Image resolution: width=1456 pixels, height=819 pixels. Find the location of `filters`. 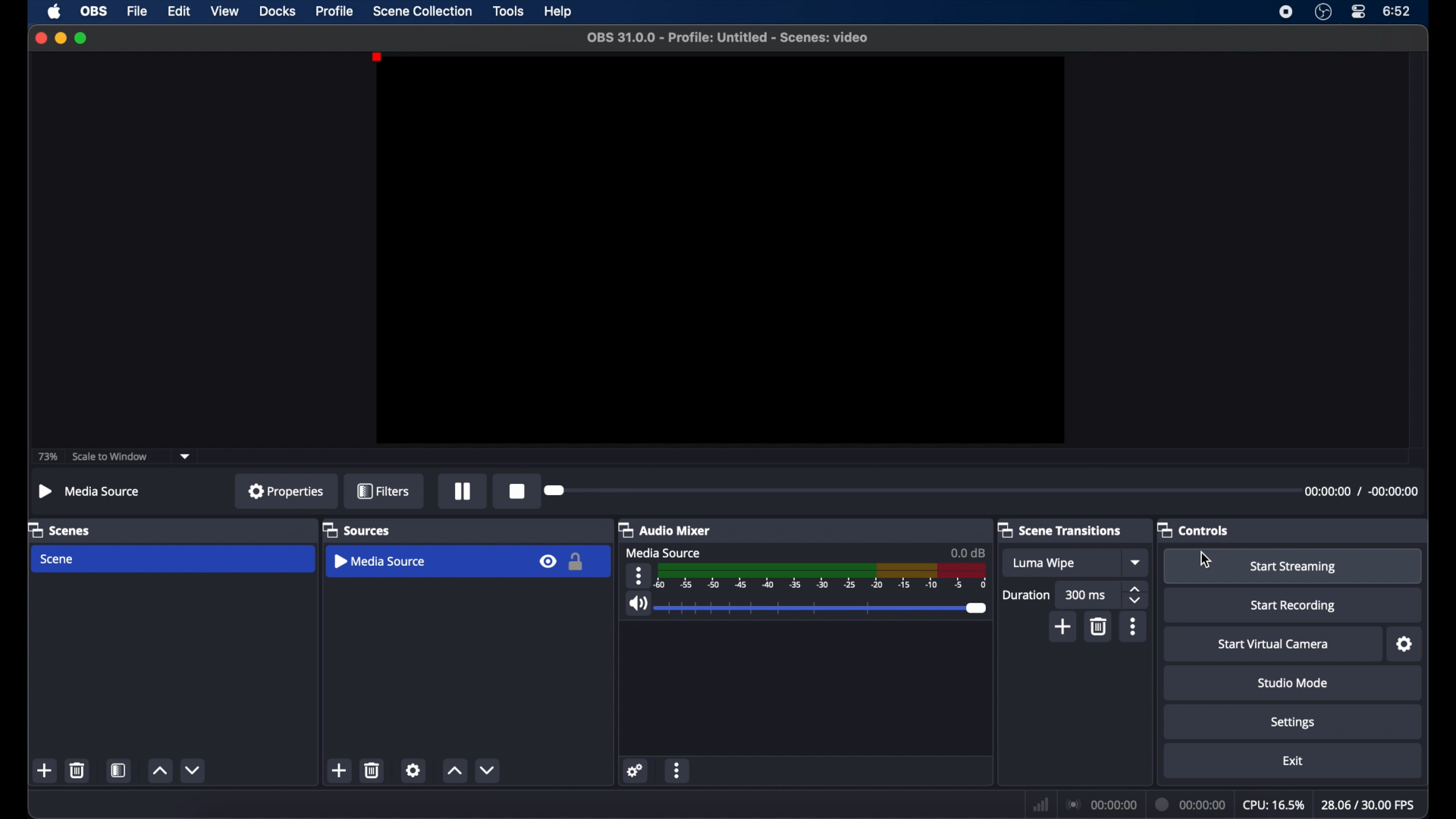

filters is located at coordinates (383, 491).